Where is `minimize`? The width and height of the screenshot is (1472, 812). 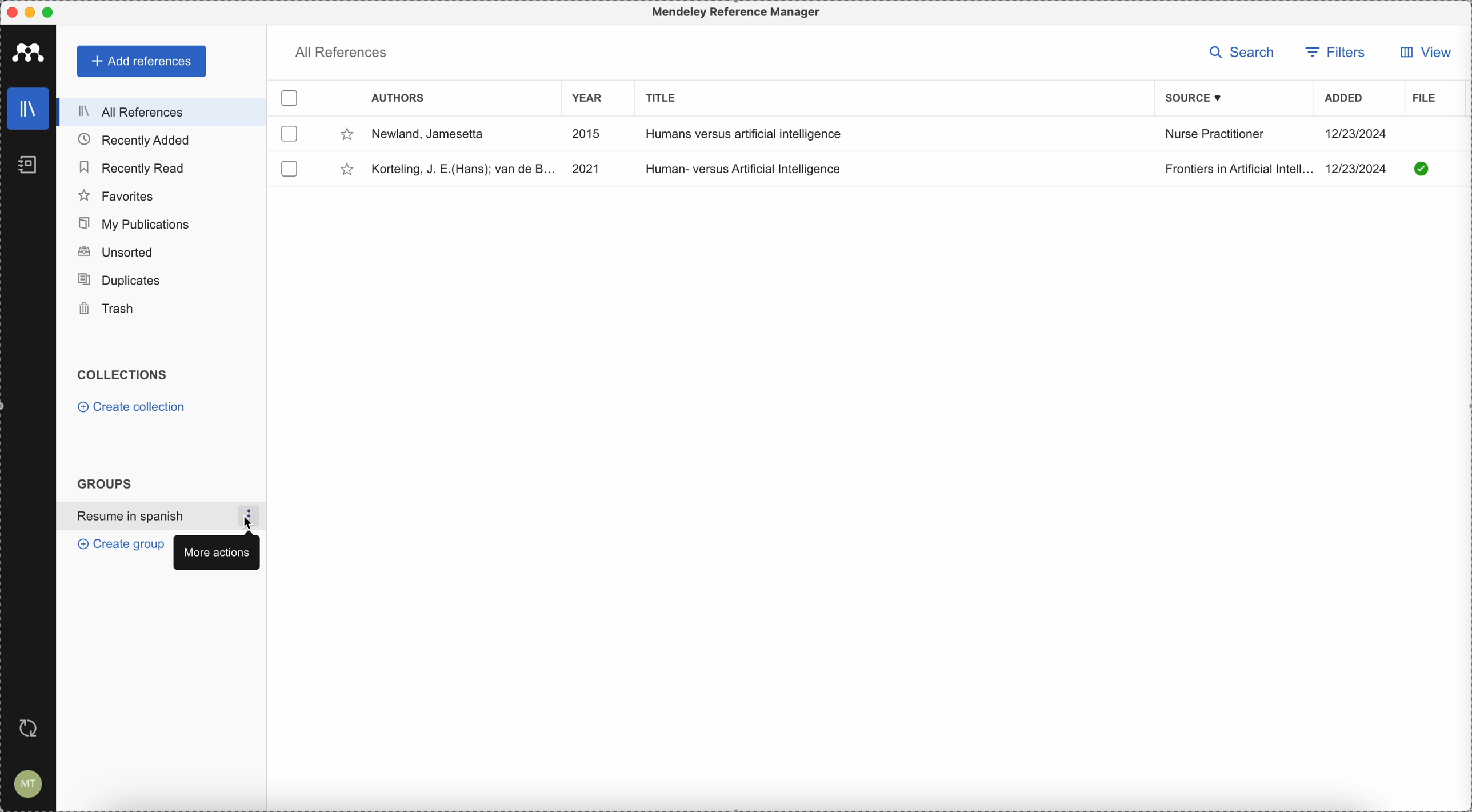 minimize is located at coordinates (30, 12).